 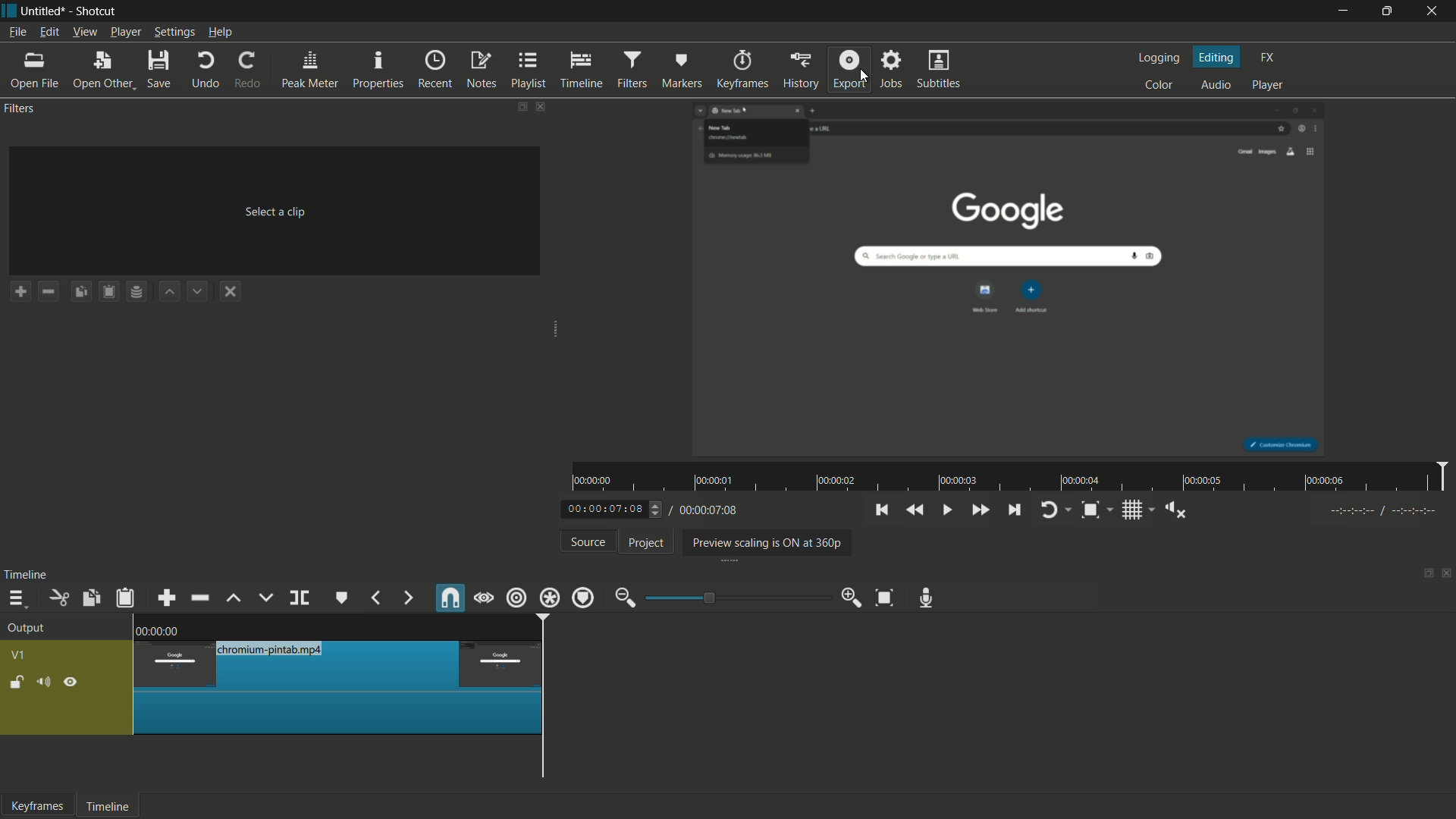 I want to click on preview video, so click(x=1012, y=279).